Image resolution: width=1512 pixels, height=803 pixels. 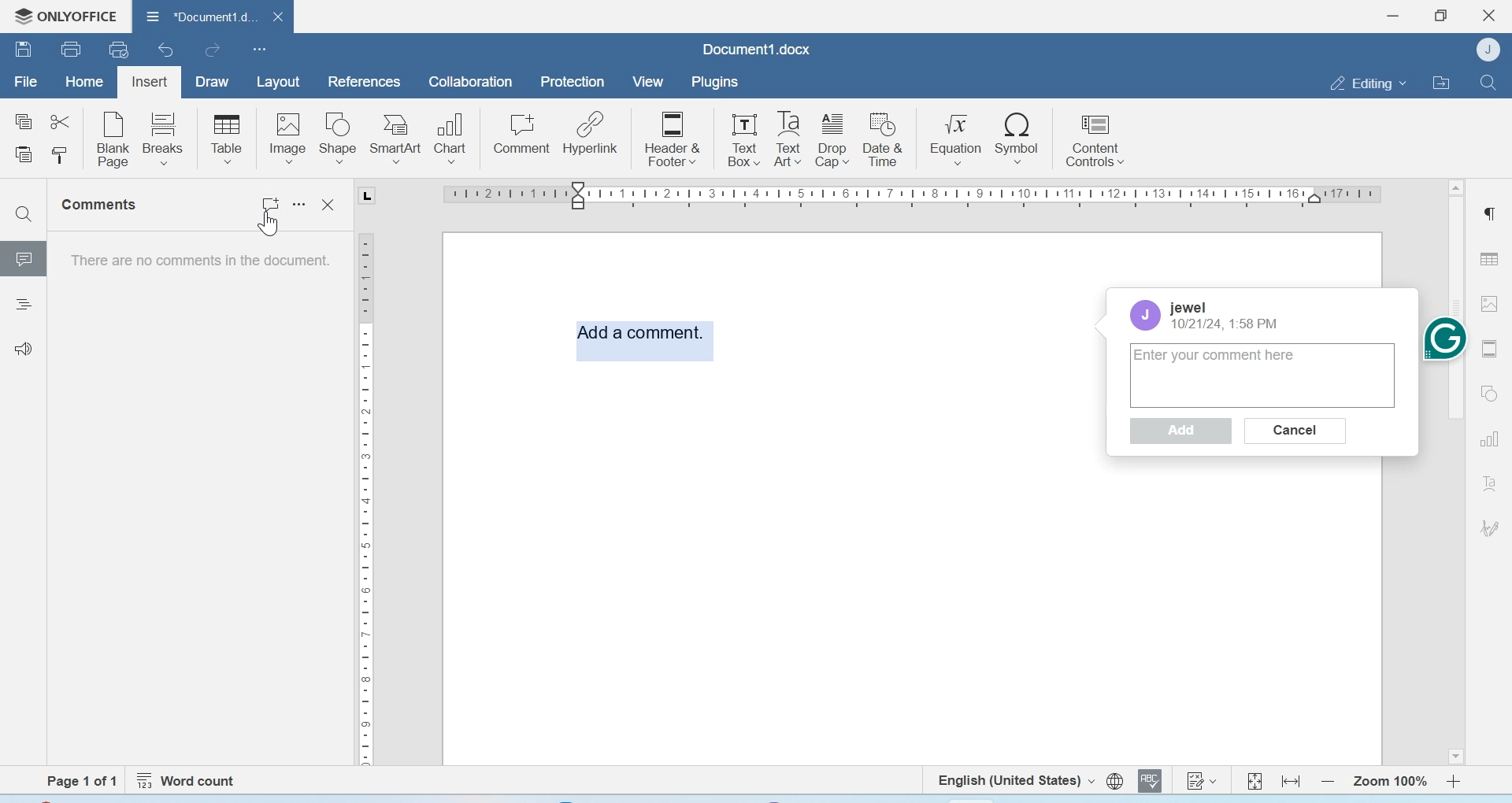 What do you see at coordinates (213, 83) in the screenshot?
I see `Draw` at bounding box center [213, 83].